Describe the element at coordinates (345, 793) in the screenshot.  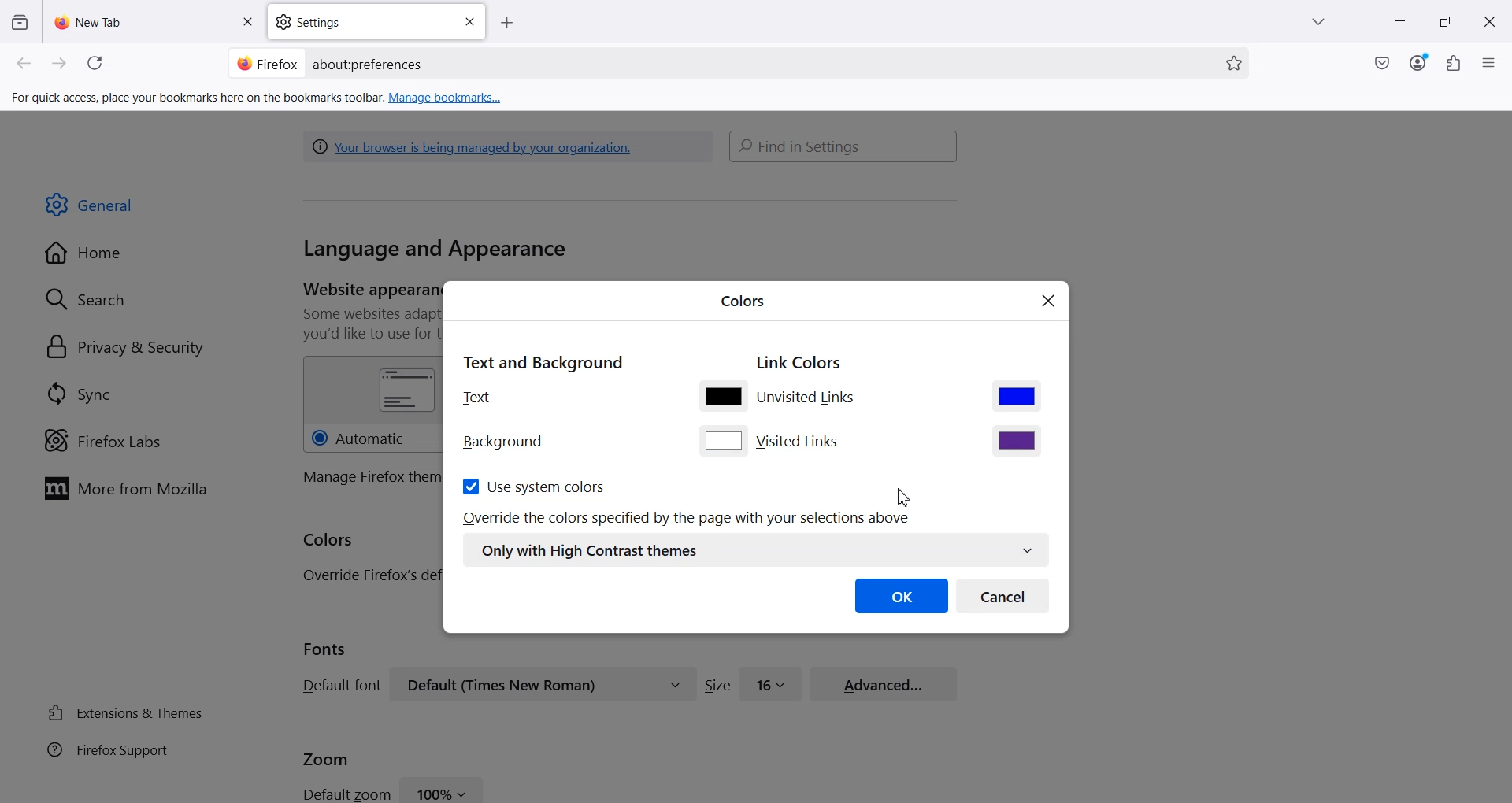
I see `Default zoom` at that location.